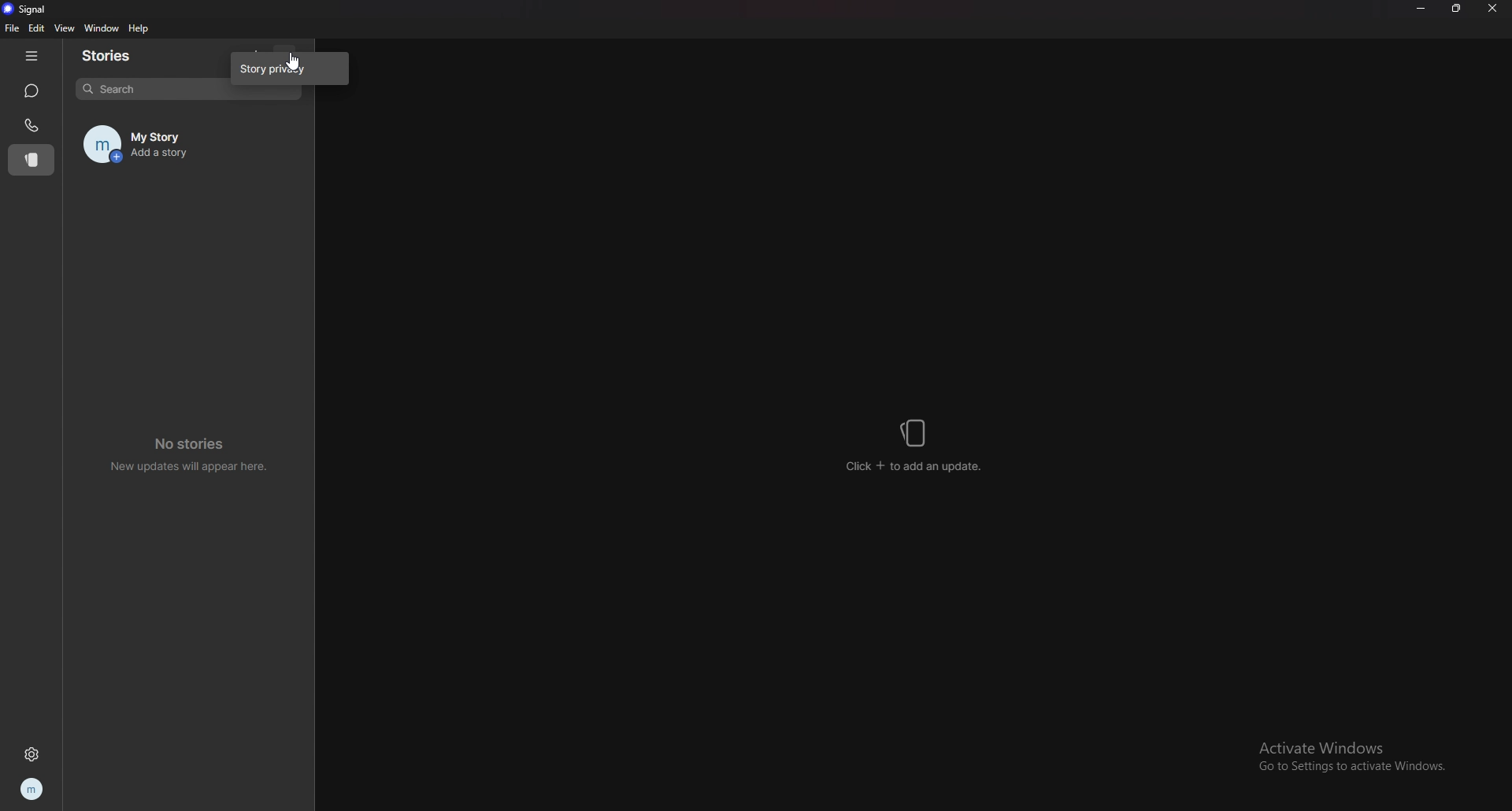  What do you see at coordinates (25, 9) in the screenshot?
I see `signal` at bounding box center [25, 9].